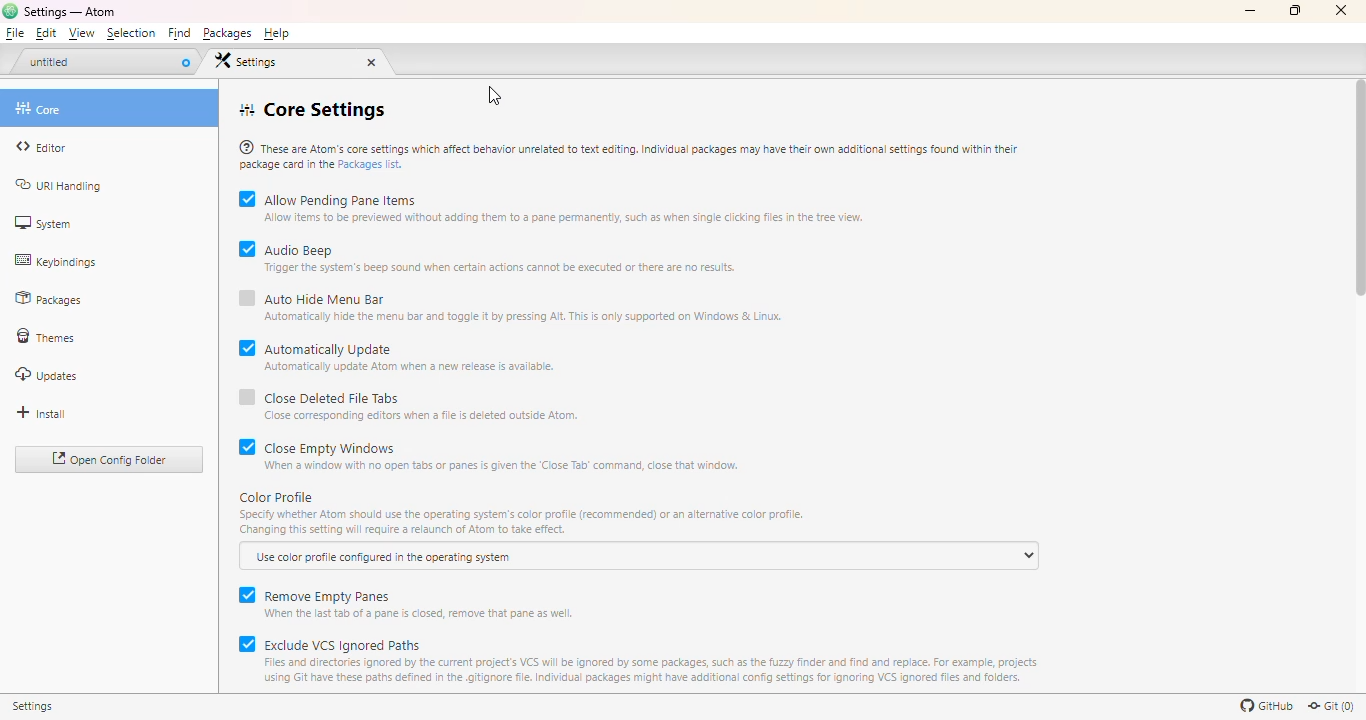  I want to click on checkbox, so click(246, 257).